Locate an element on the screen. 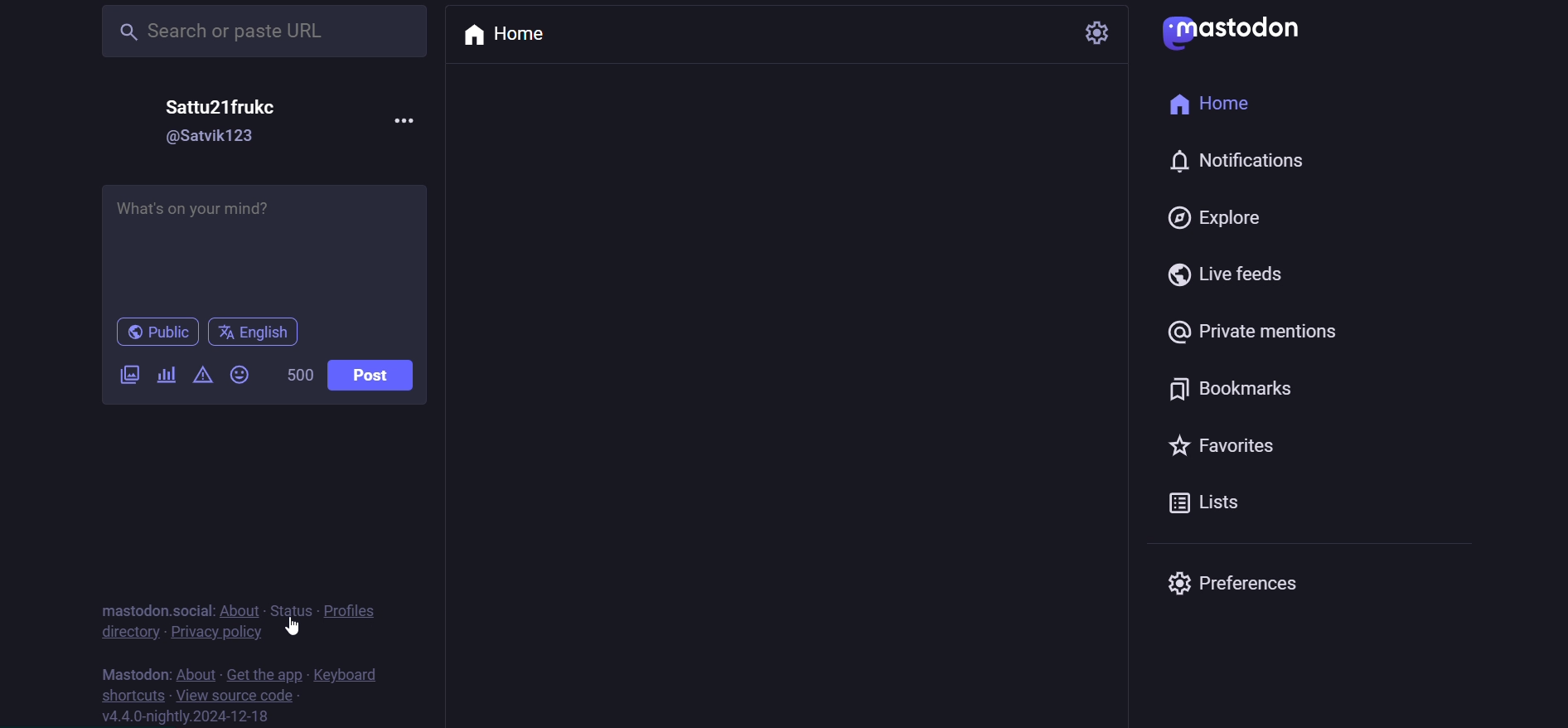 The image size is (1568, 728). home is located at coordinates (1212, 103).